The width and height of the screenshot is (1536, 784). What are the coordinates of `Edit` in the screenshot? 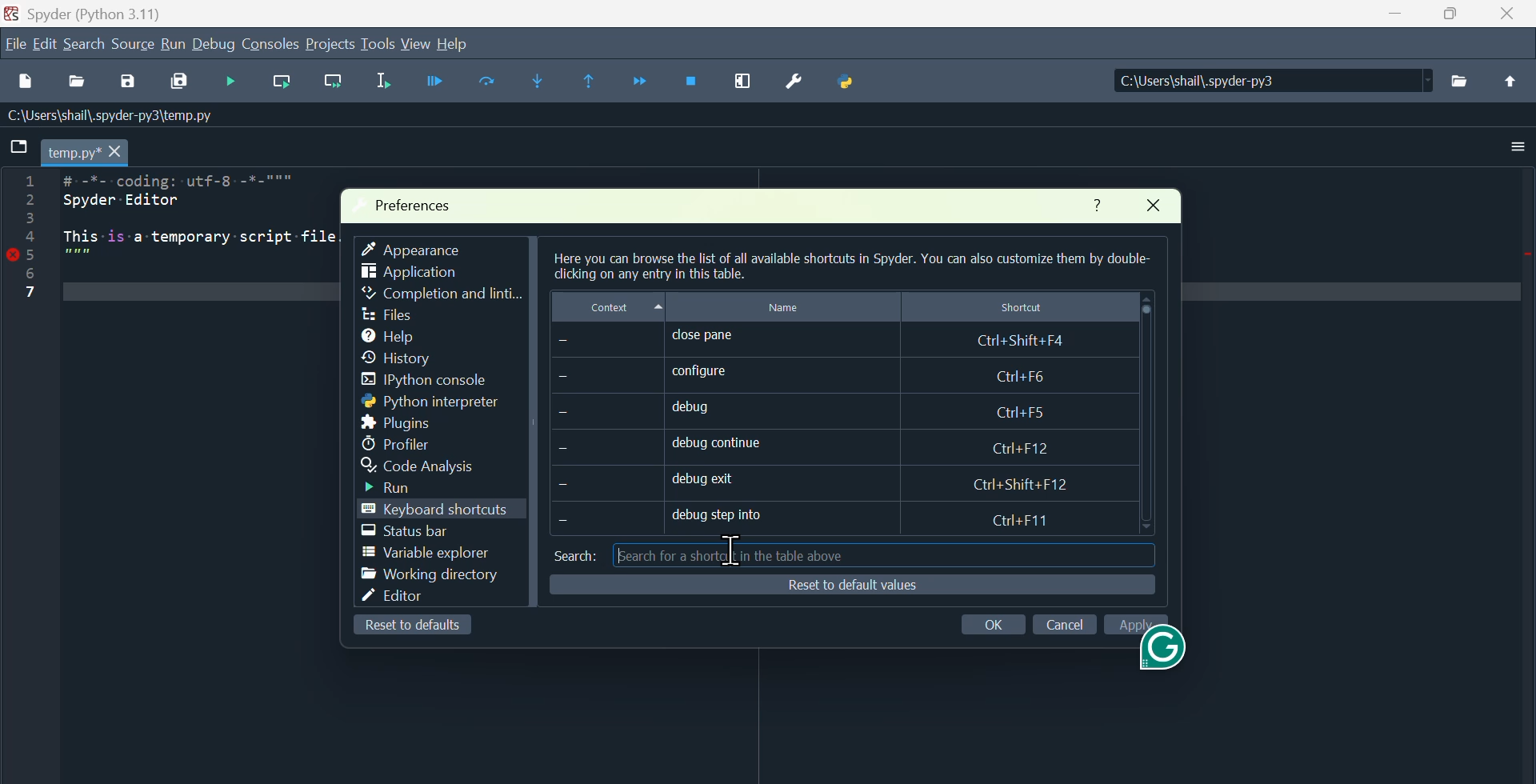 It's located at (43, 46).